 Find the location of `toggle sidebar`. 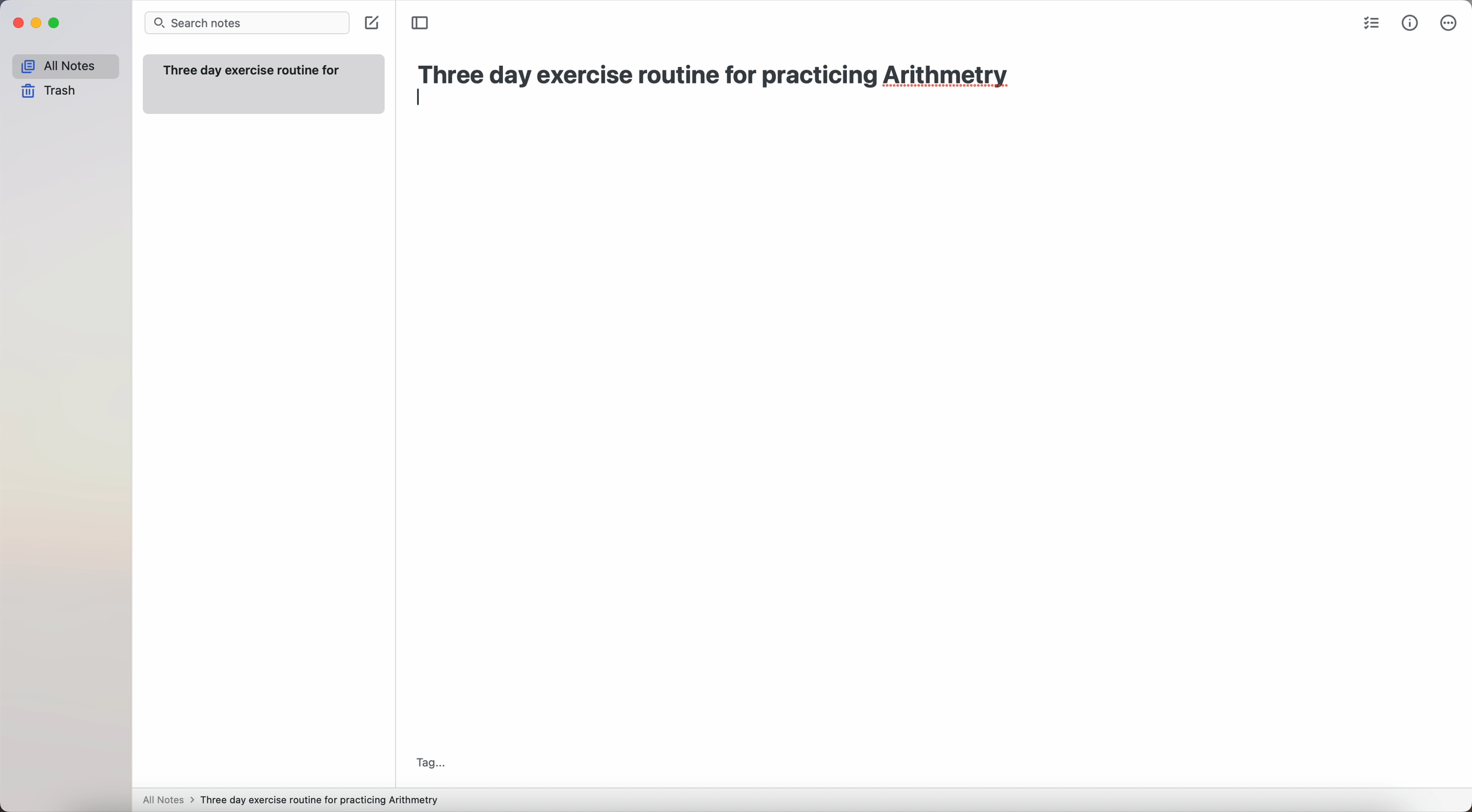

toggle sidebar is located at coordinates (421, 21).